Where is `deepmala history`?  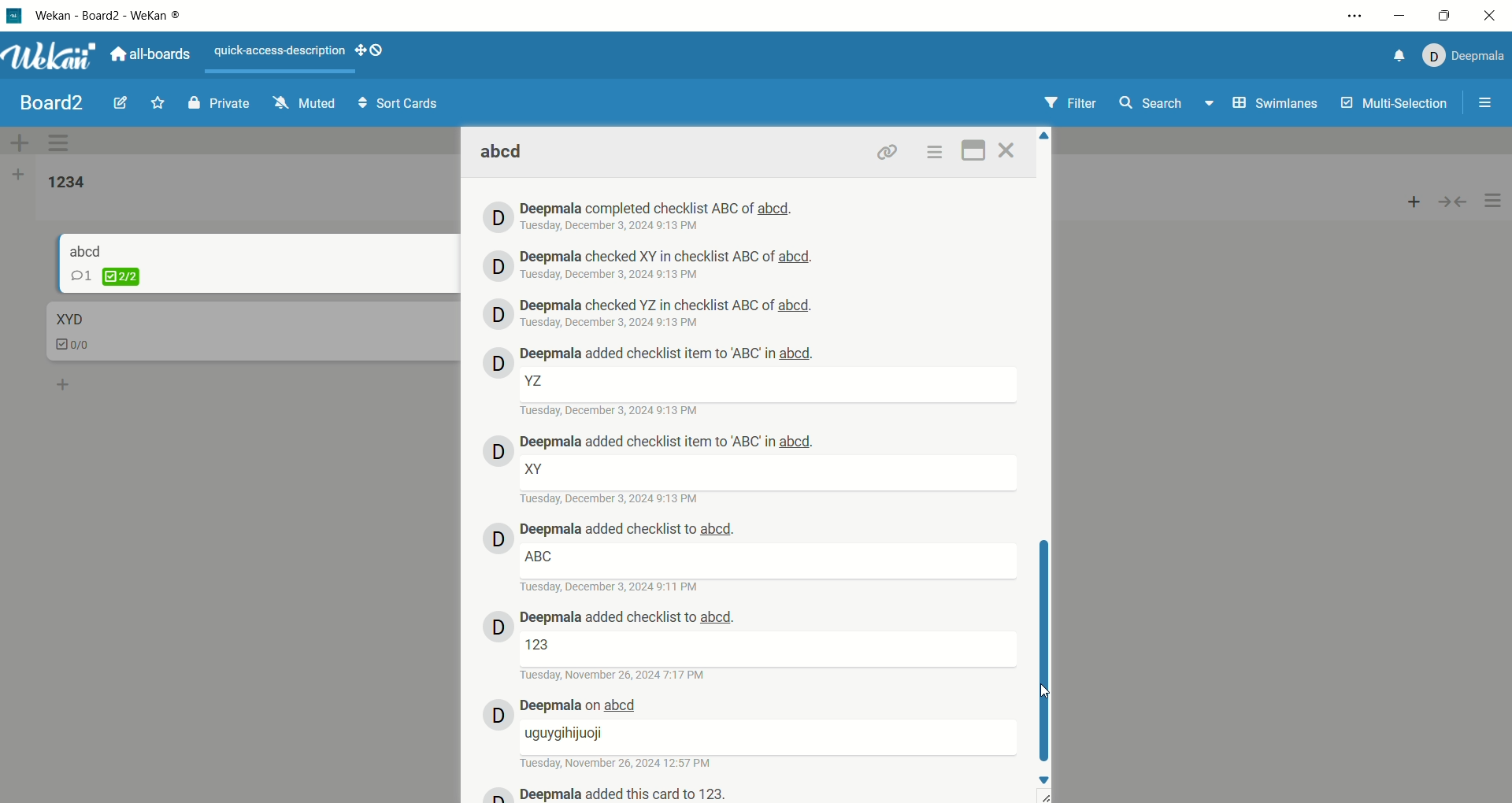
deepmala history is located at coordinates (669, 355).